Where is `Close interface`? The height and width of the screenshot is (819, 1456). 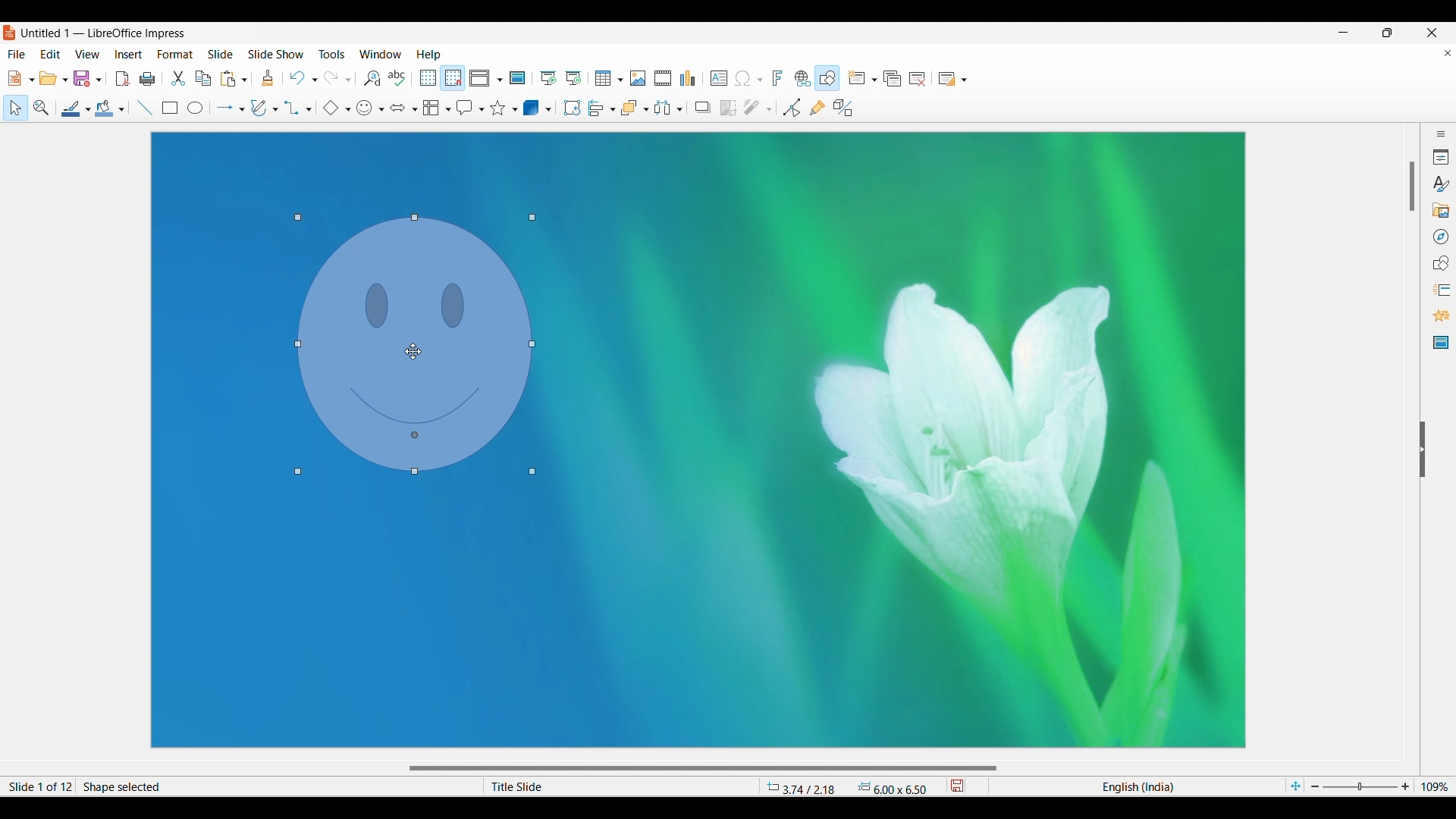 Close interface is located at coordinates (1431, 33).